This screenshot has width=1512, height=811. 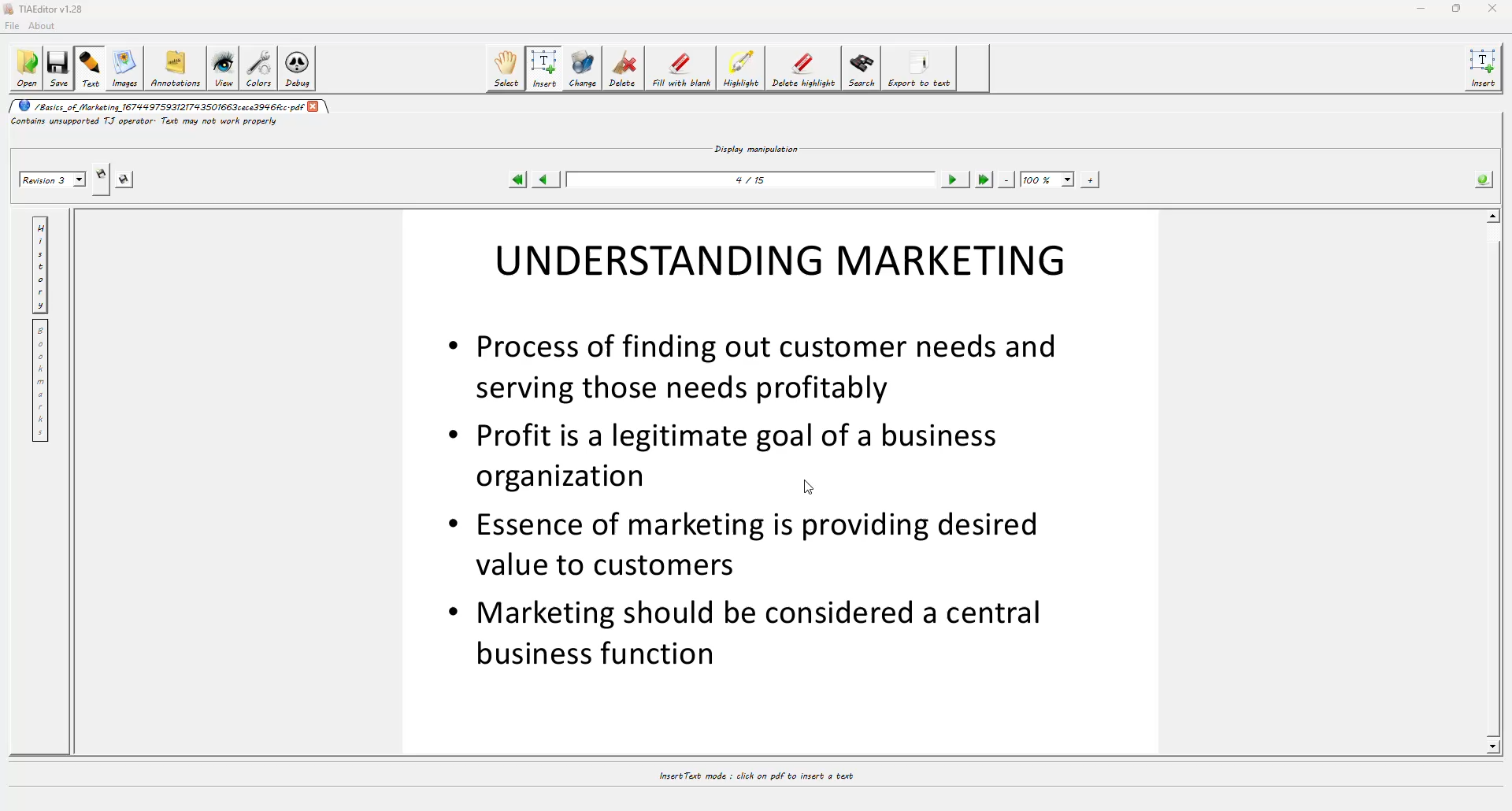 What do you see at coordinates (1493, 213) in the screenshot?
I see `scroll up` at bounding box center [1493, 213].